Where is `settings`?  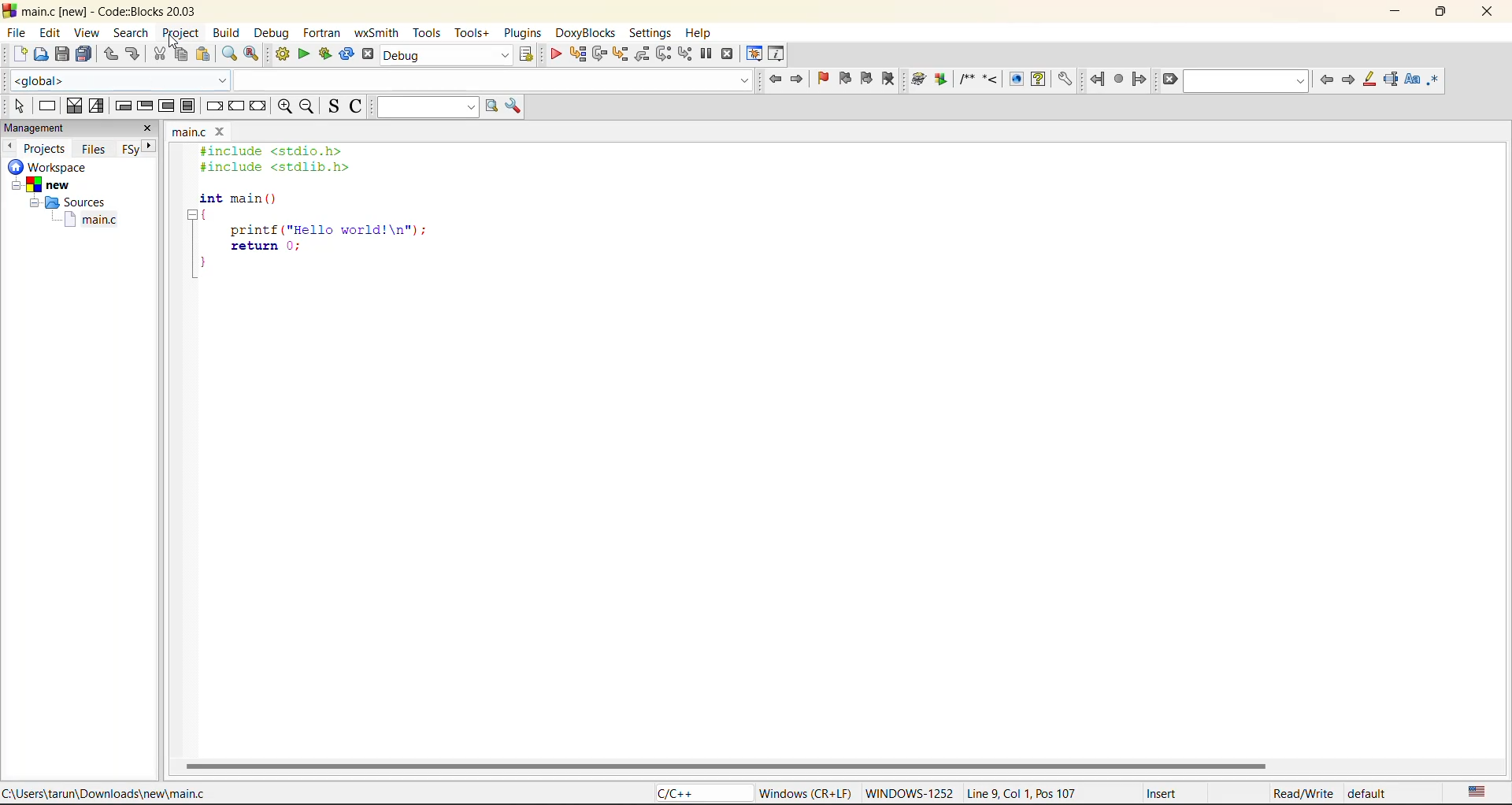 settings is located at coordinates (651, 34).